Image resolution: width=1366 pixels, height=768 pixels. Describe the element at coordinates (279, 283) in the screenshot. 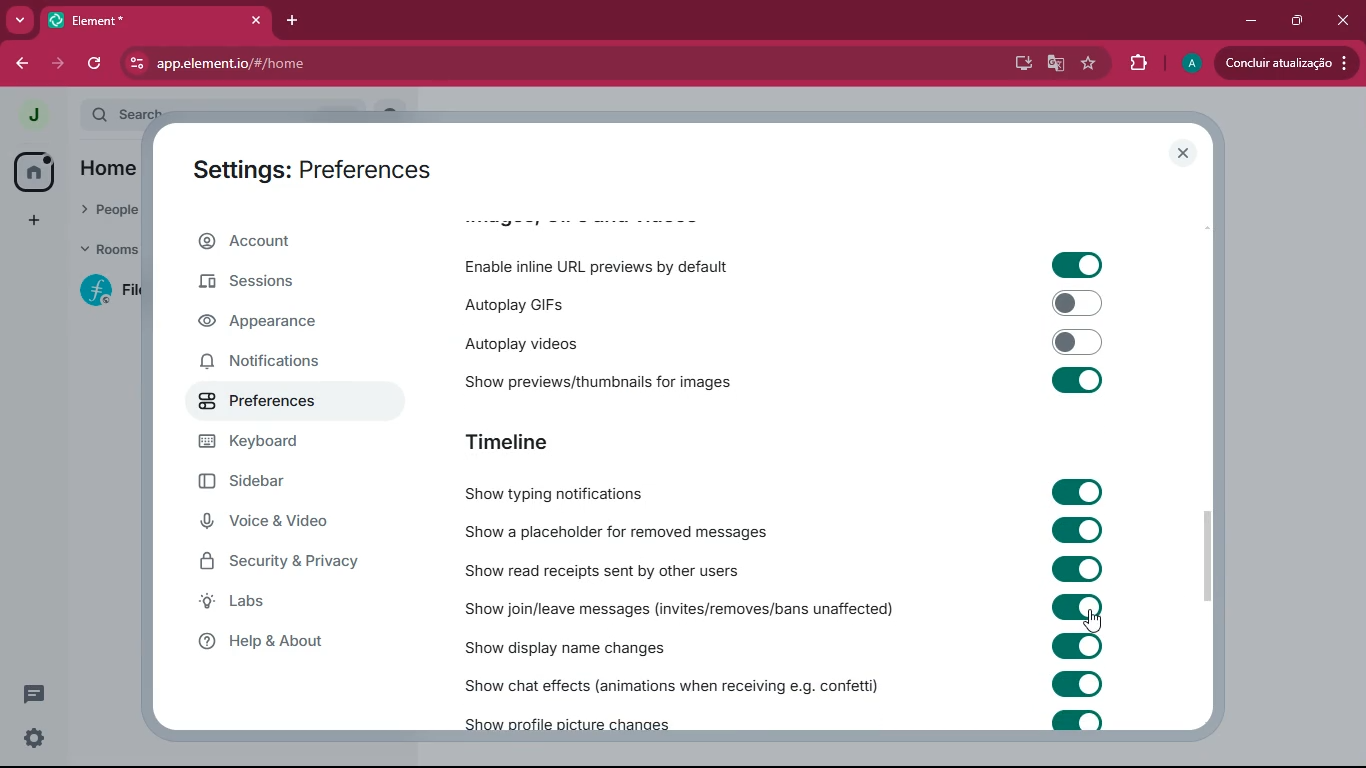

I see `sessions` at that location.